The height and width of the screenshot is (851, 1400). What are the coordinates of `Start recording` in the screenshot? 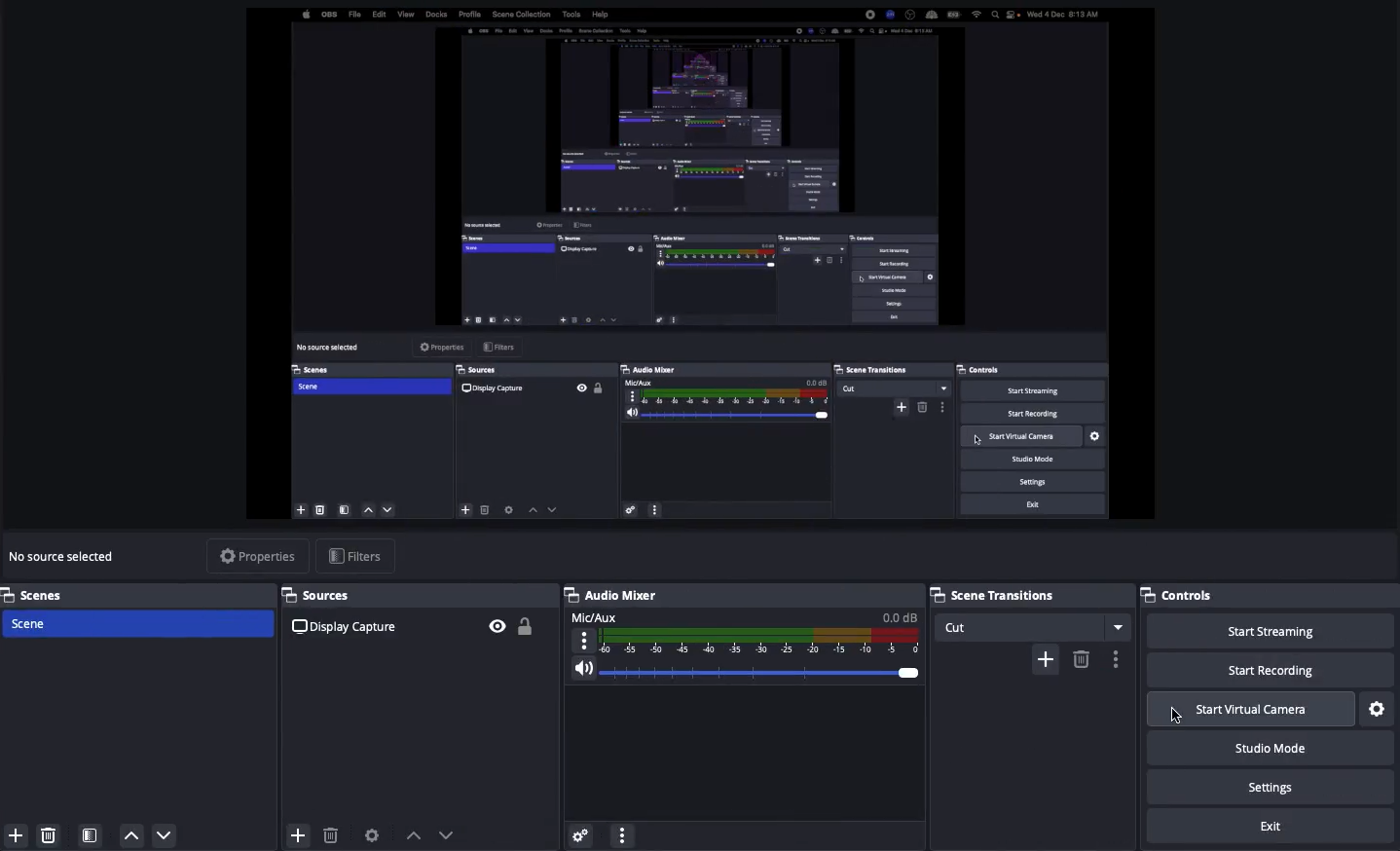 It's located at (1268, 669).